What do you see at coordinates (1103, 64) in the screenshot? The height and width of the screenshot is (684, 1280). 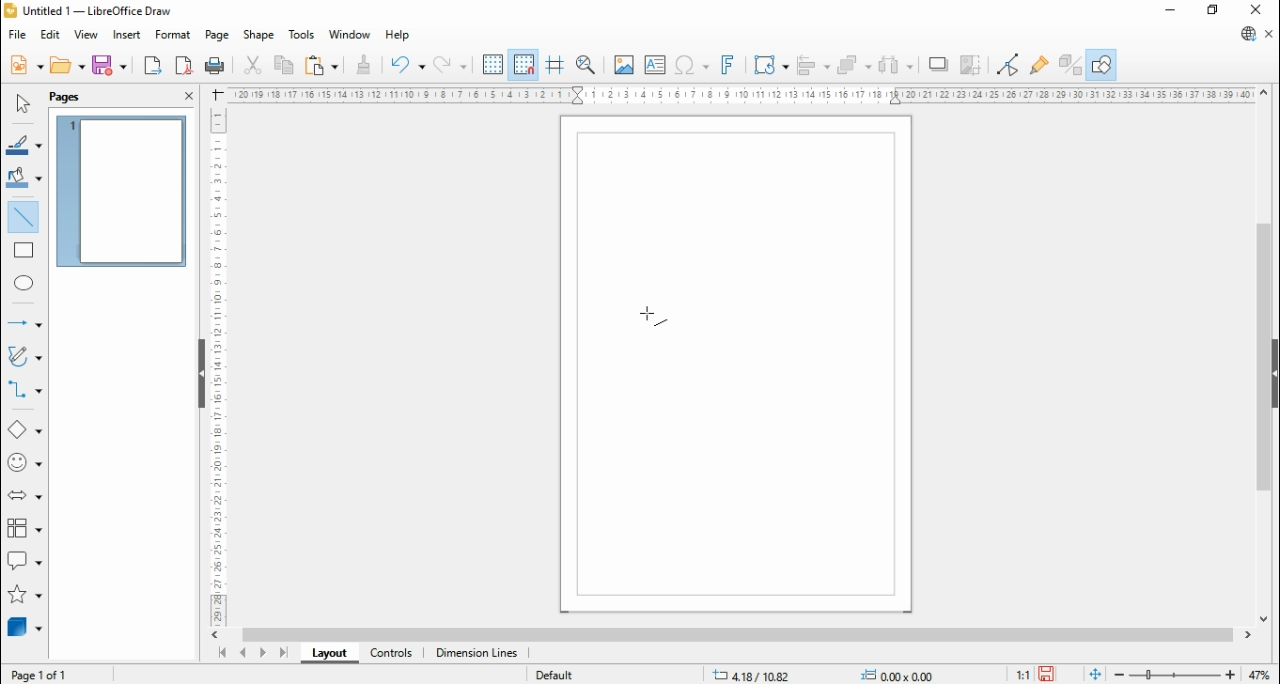 I see `show draw functions` at bounding box center [1103, 64].